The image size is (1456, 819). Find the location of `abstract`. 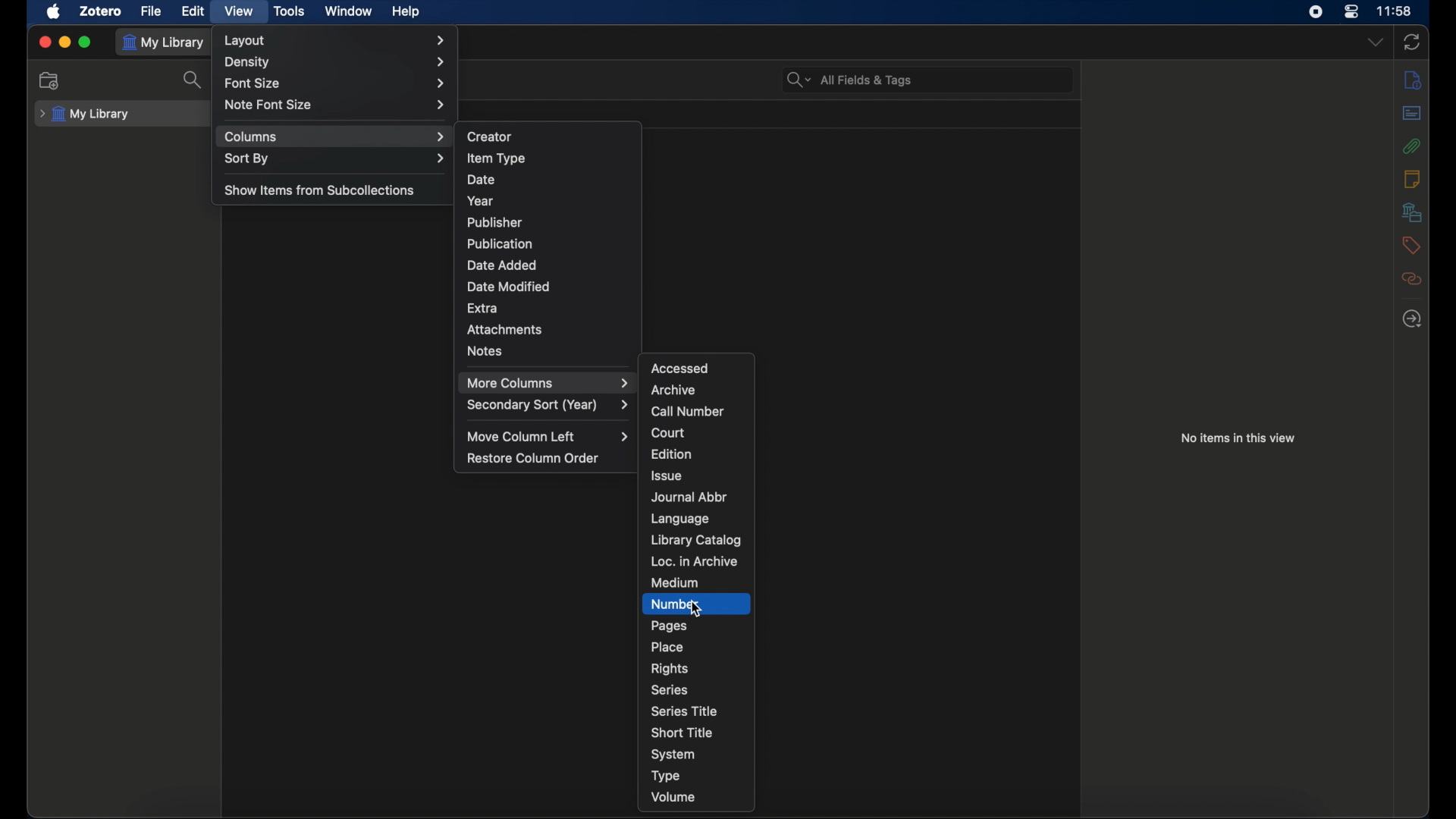

abstract is located at coordinates (1411, 114).